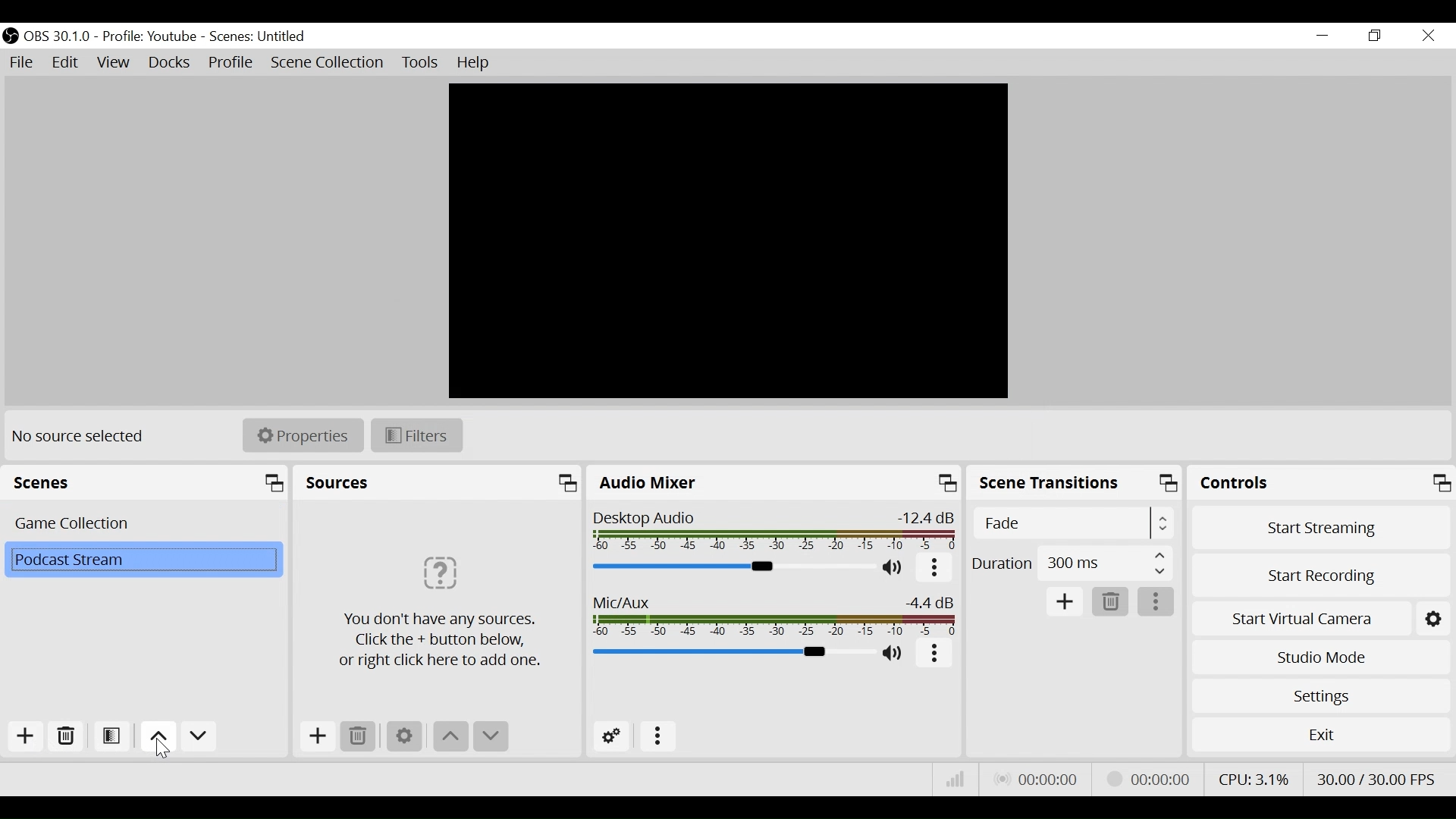 The height and width of the screenshot is (819, 1456). What do you see at coordinates (1321, 657) in the screenshot?
I see `Studio Mode` at bounding box center [1321, 657].